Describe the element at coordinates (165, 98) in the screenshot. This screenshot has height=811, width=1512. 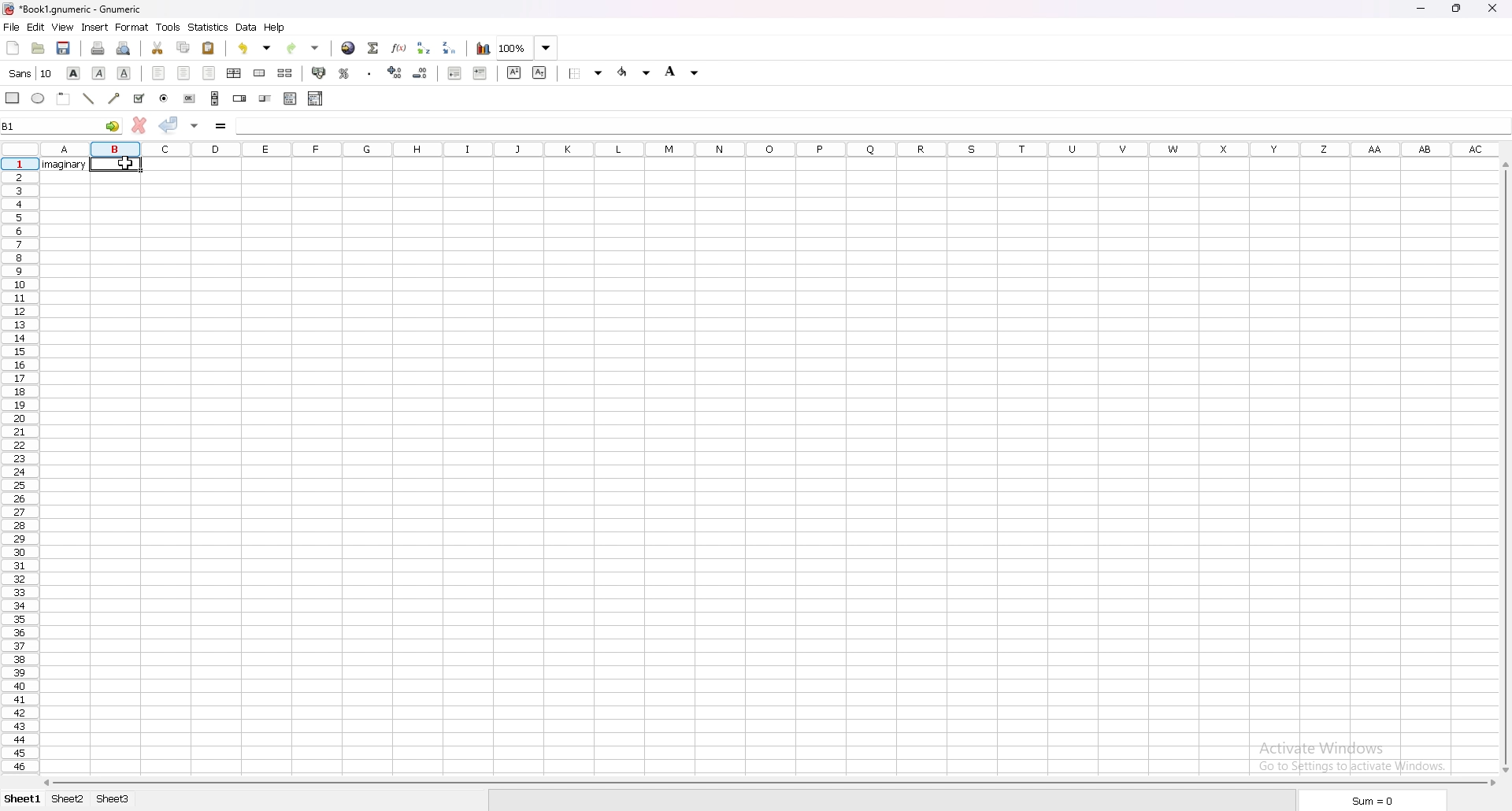
I see `radio button` at that location.